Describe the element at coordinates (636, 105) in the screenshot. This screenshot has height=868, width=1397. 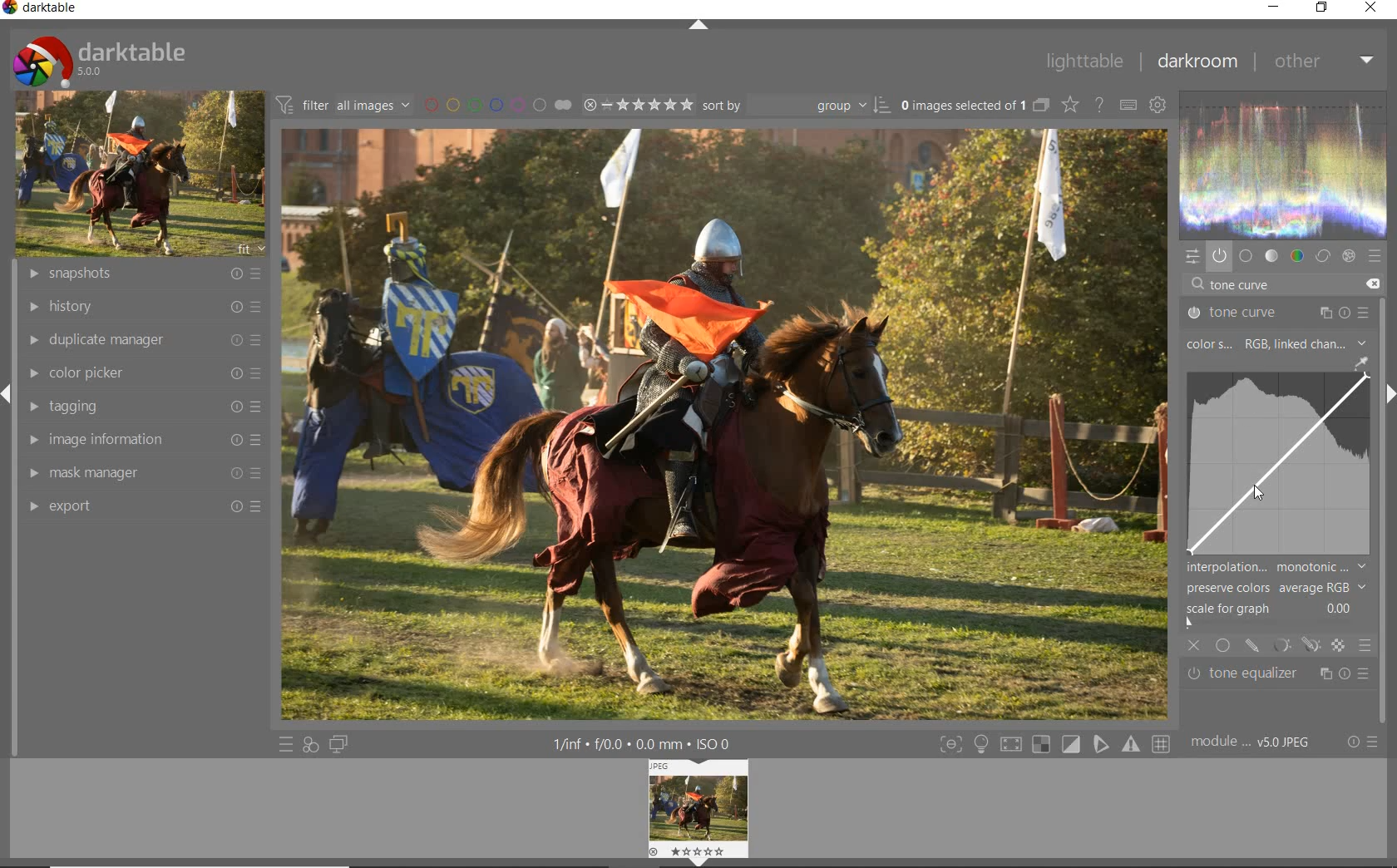
I see `selected Image range rating` at that location.